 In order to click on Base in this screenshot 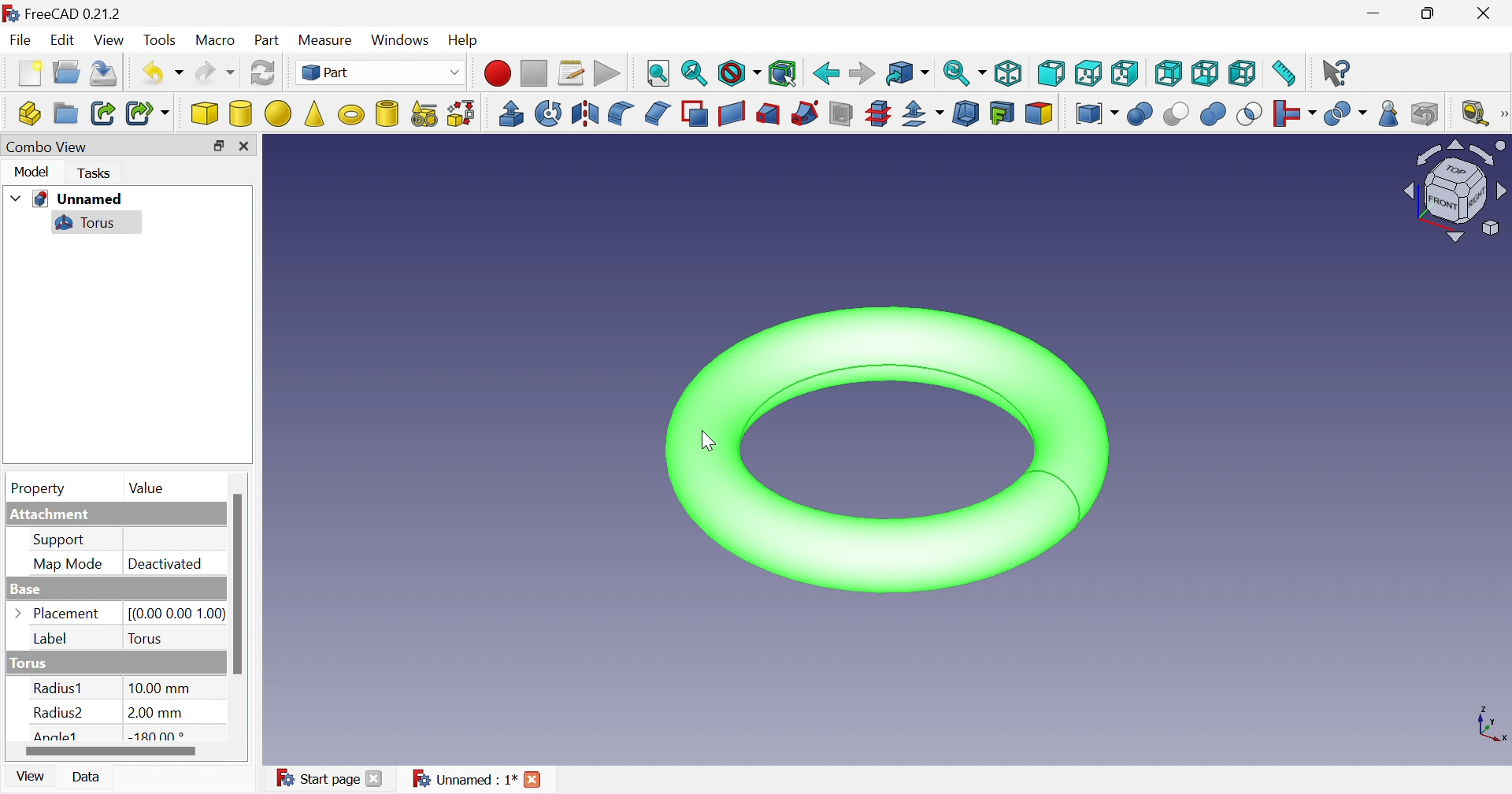, I will do `click(23, 590)`.